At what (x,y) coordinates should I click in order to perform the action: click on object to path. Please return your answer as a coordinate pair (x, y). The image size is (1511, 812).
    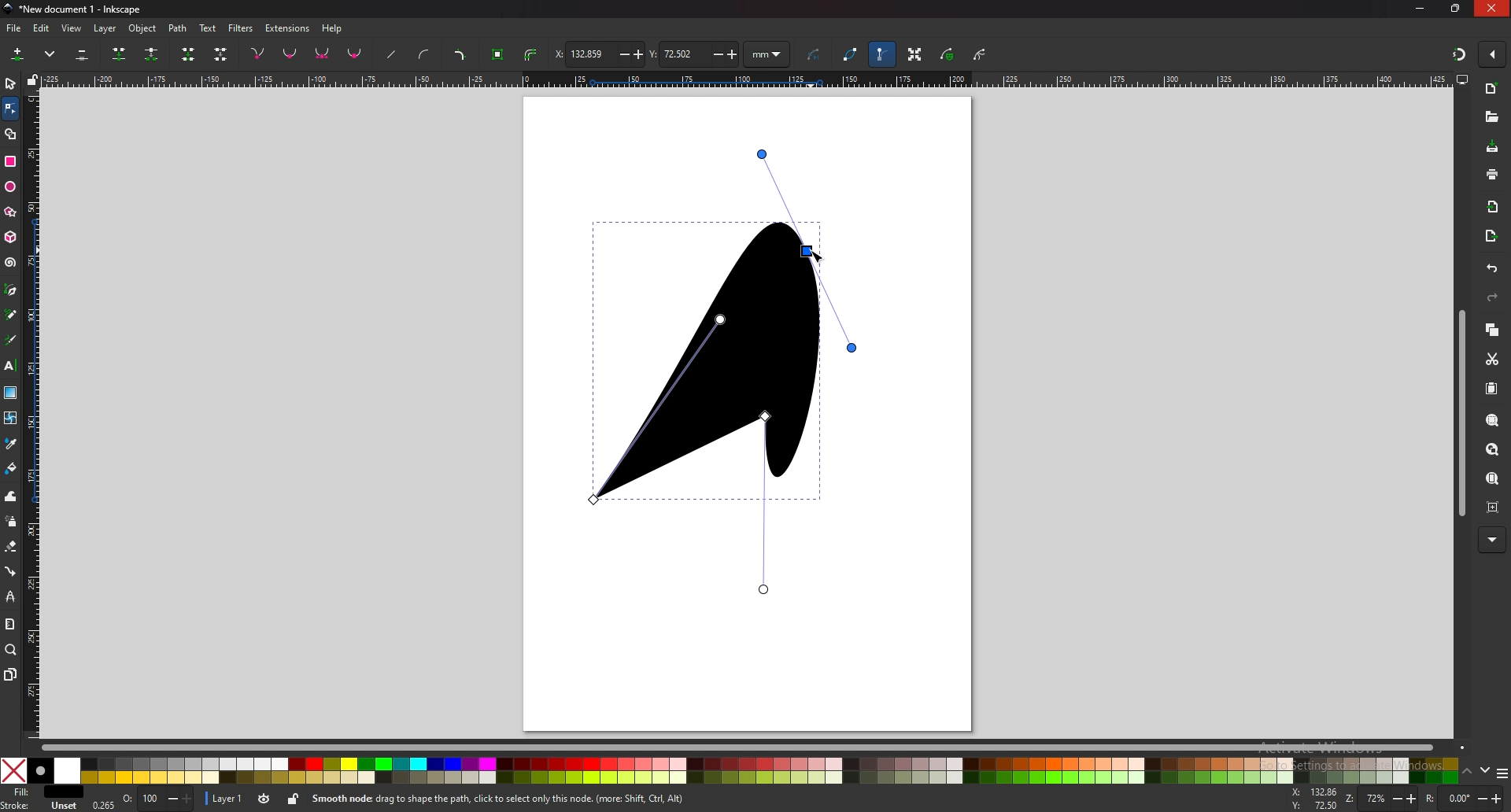
    Looking at the image, I should click on (500, 55).